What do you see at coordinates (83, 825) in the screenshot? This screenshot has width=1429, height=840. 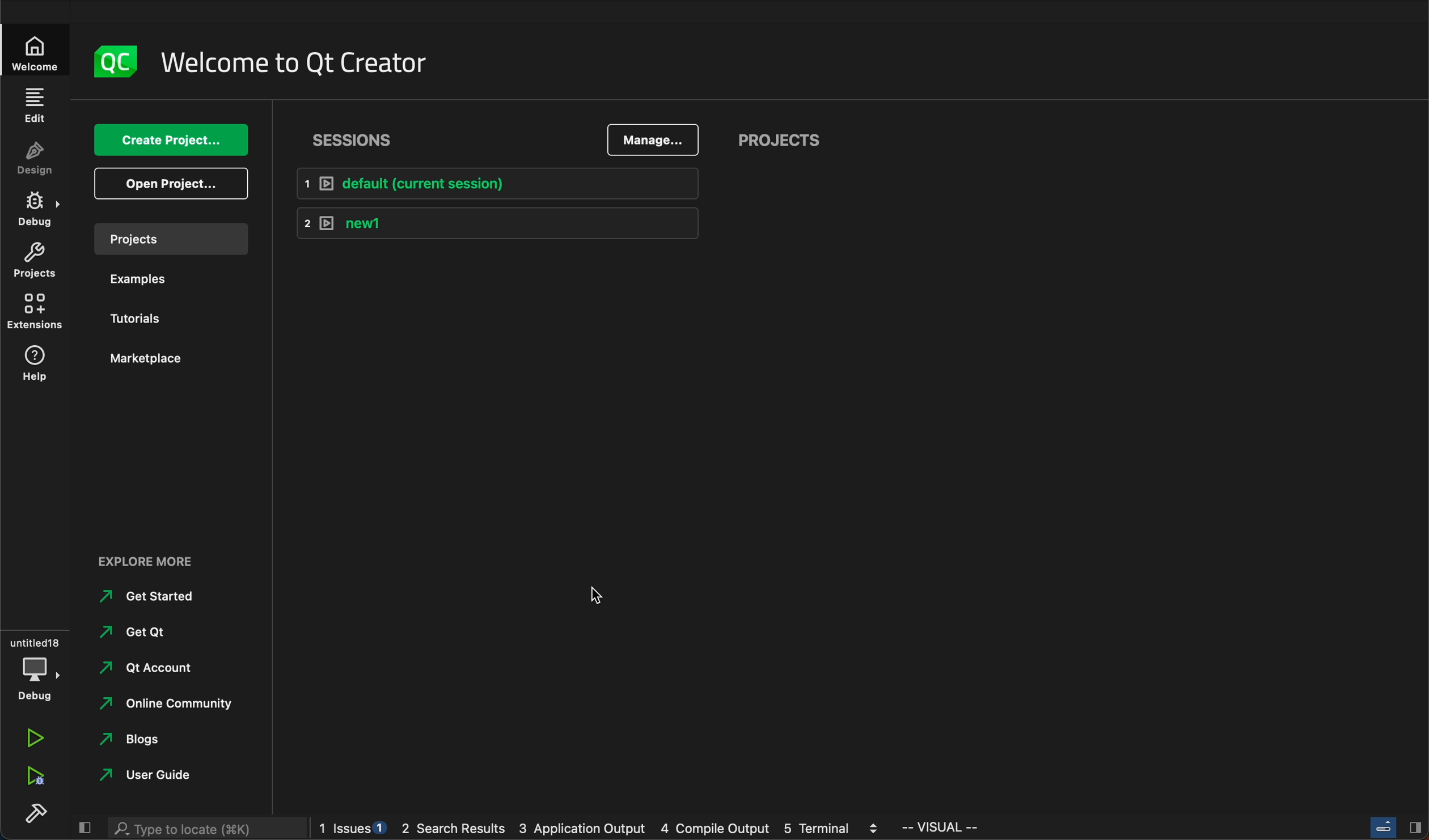 I see `close slide bar` at bounding box center [83, 825].